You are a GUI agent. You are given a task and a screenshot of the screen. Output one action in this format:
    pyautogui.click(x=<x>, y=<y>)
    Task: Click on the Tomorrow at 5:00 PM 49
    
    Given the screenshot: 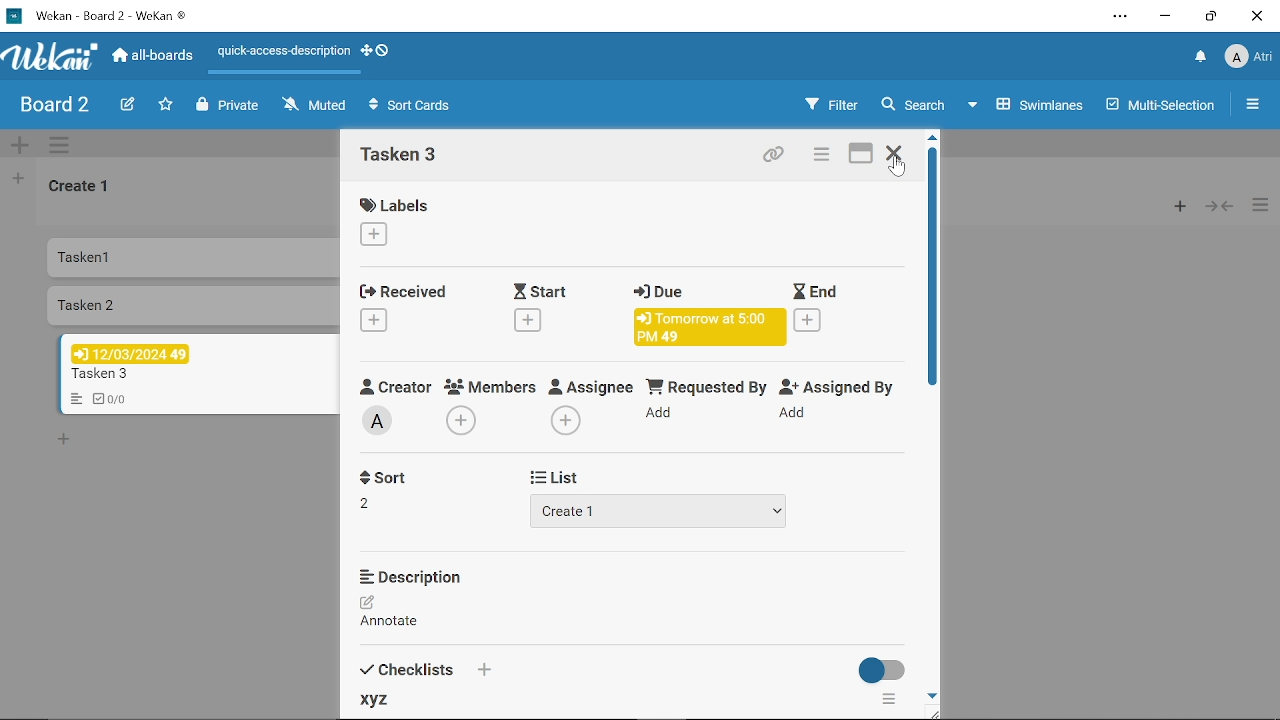 What is the action you would take?
    pyautogui.click(x=711, y=328)
    